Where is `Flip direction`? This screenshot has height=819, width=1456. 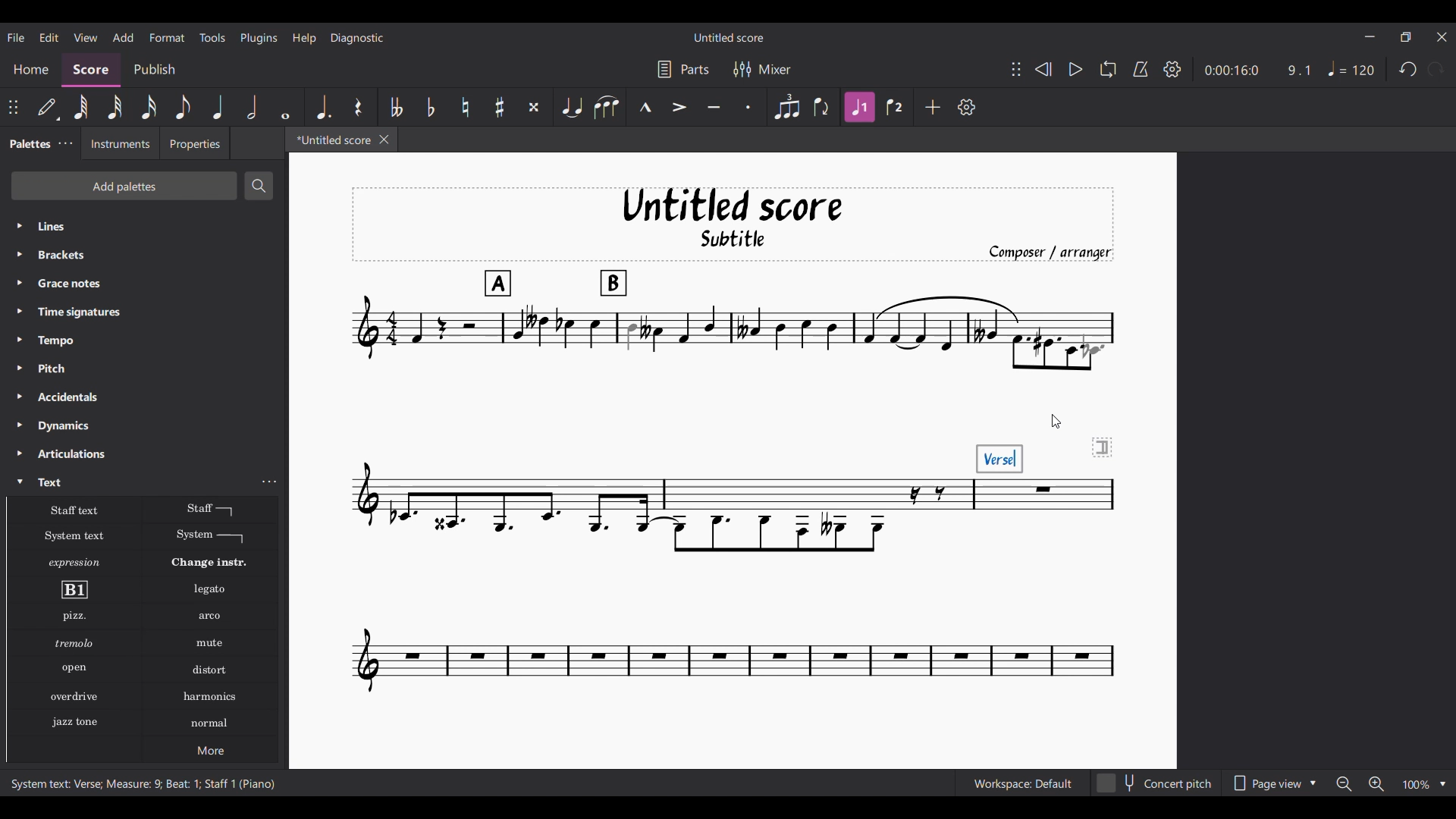 Flip direction is located at coordinates (822, 106).